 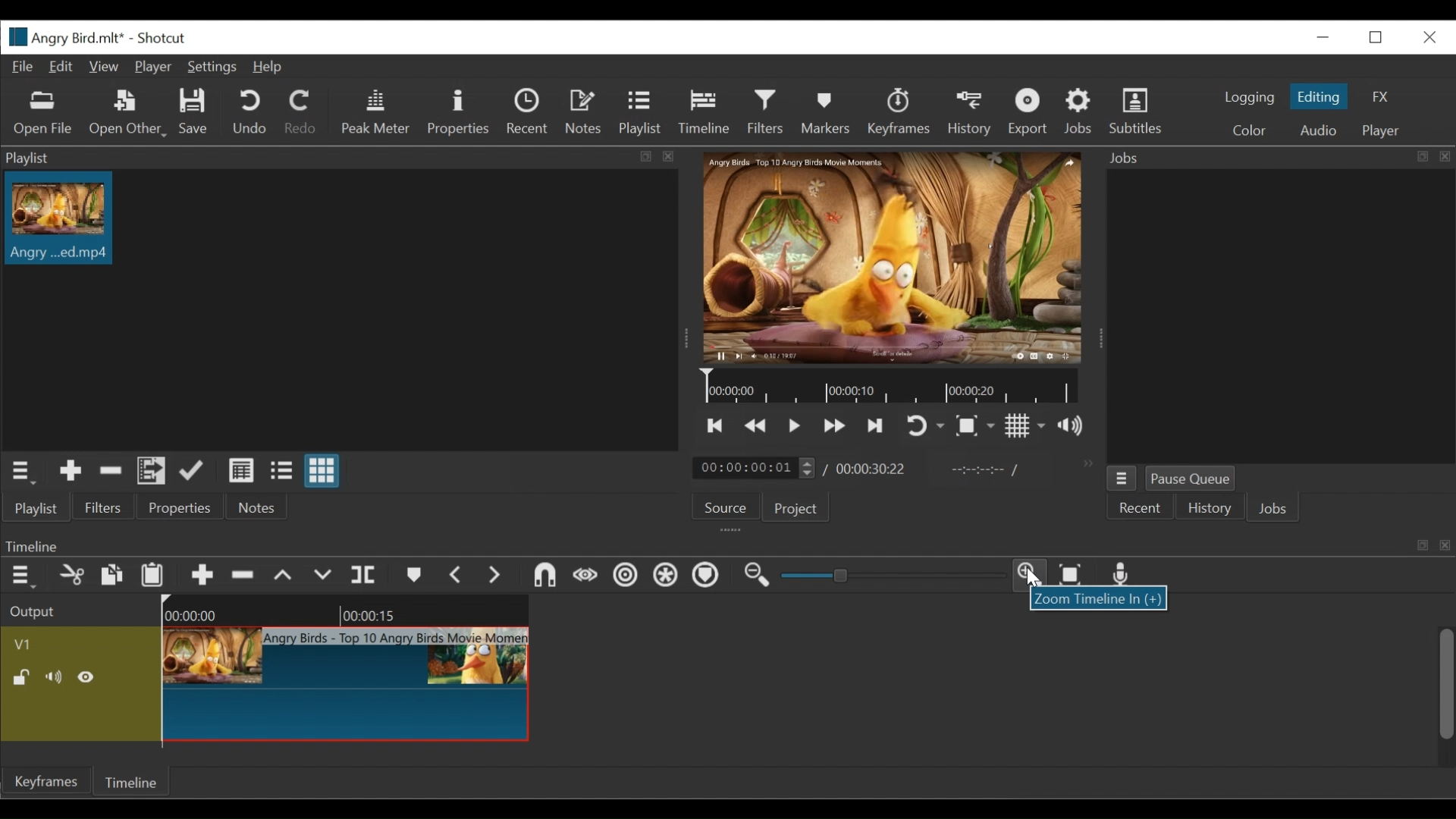 What do you see at coordinates (1121, 479) in the screenshot?
I see `Jobs Menu` at bounding box center [1121, 479].